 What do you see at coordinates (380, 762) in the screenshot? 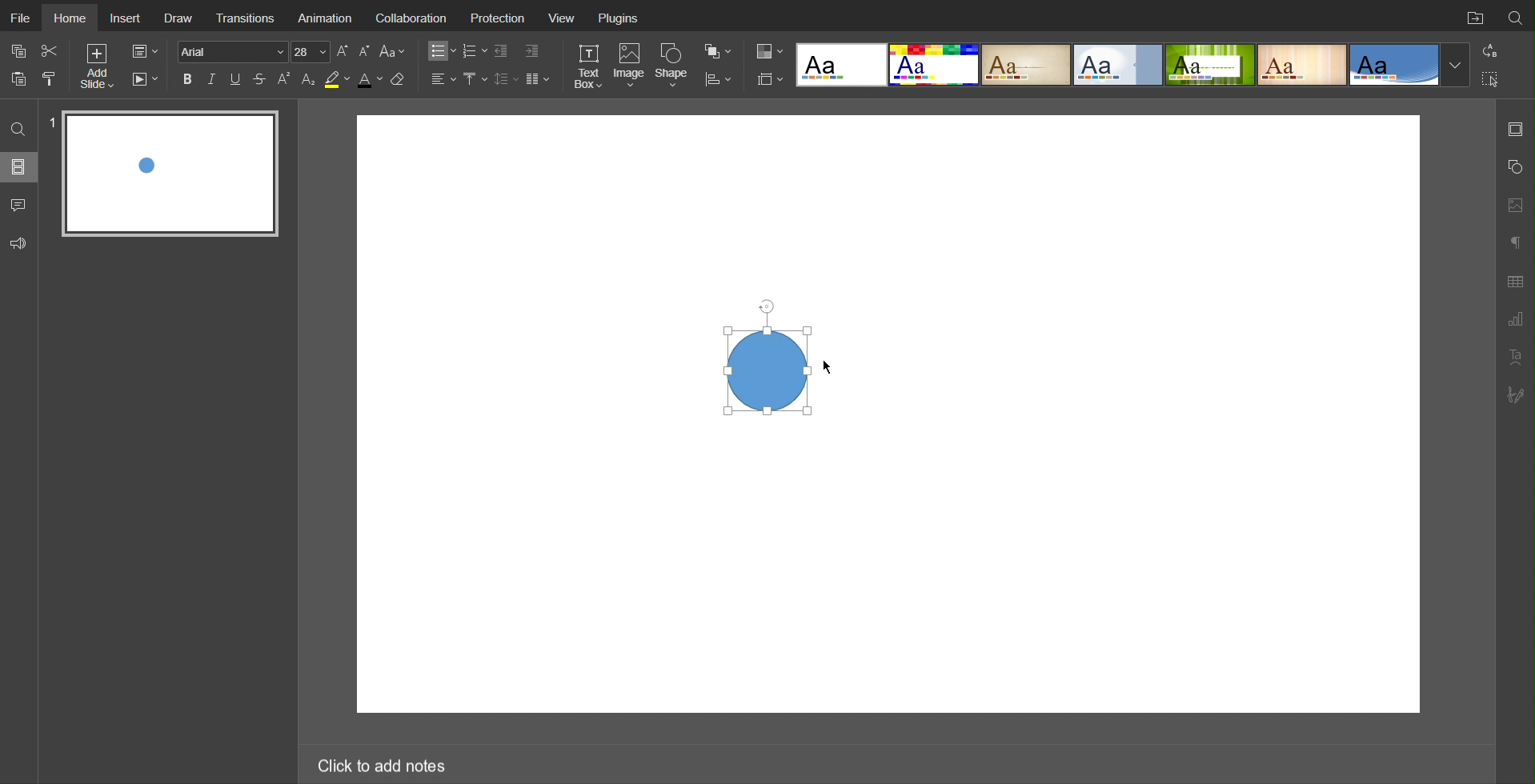
I see `Click to add notes` at bounding box center [380, 762].